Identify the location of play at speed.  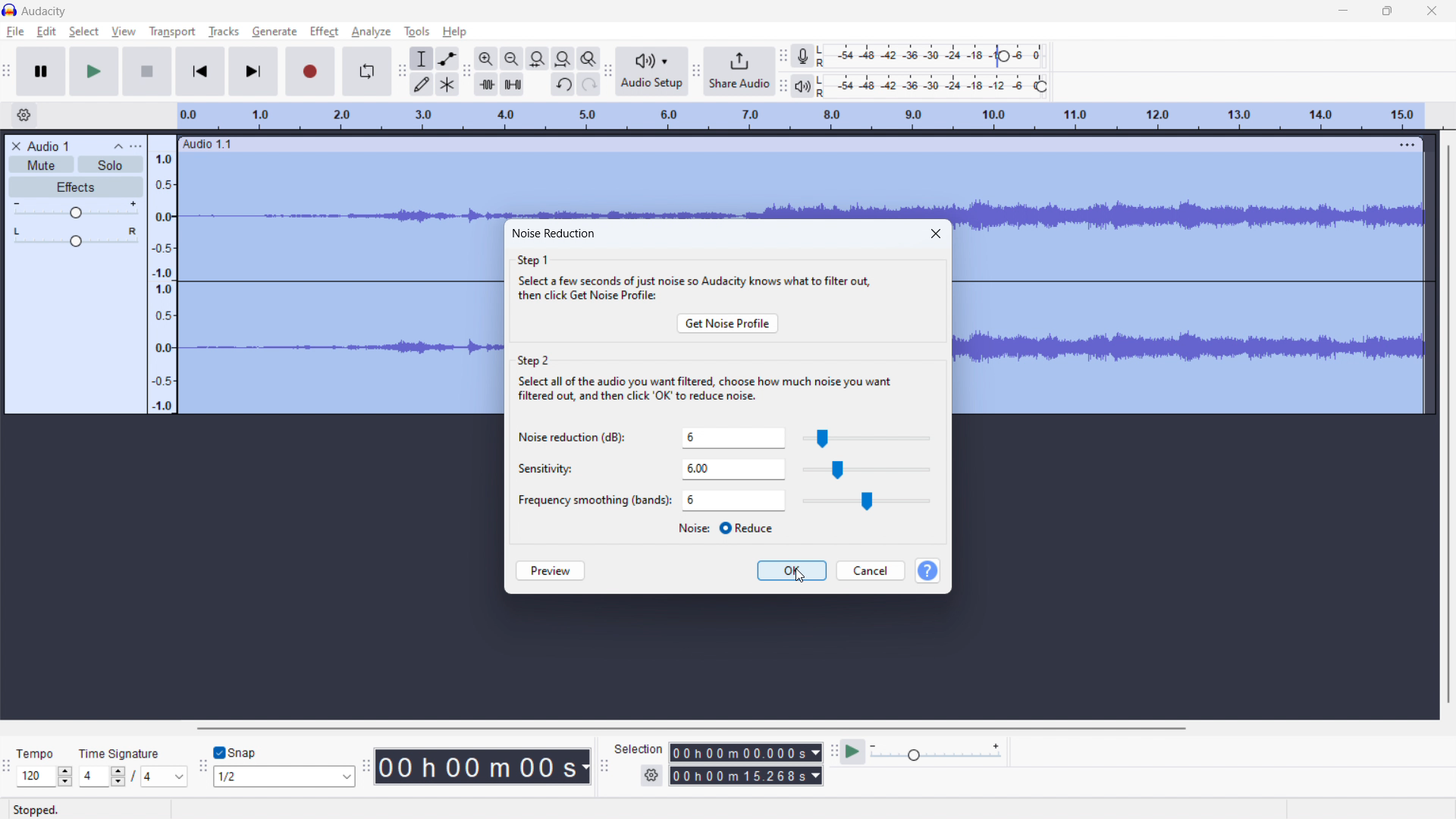
(852, 752).